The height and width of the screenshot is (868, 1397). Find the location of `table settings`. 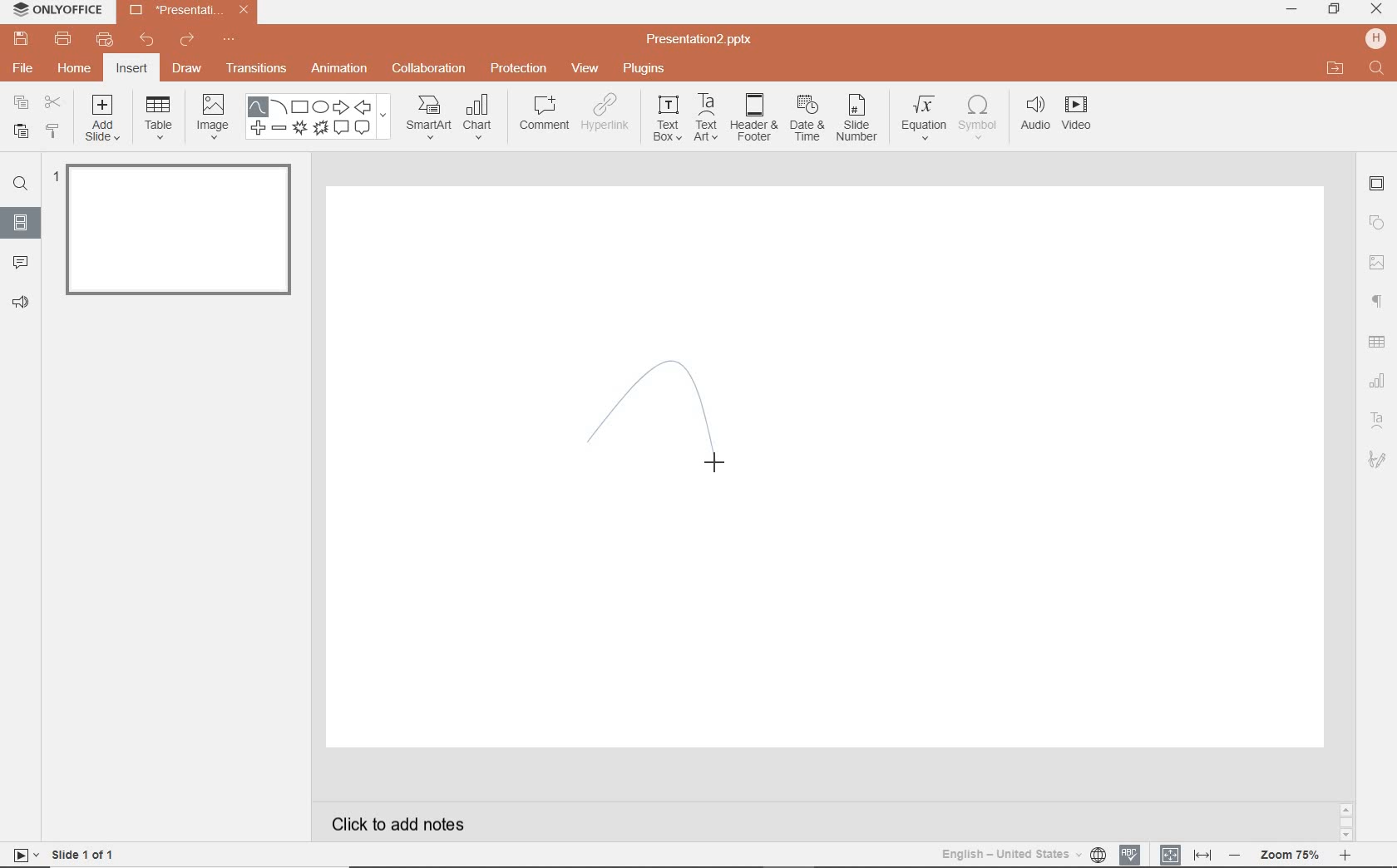

table settings is located at coordinates (1379, 340).